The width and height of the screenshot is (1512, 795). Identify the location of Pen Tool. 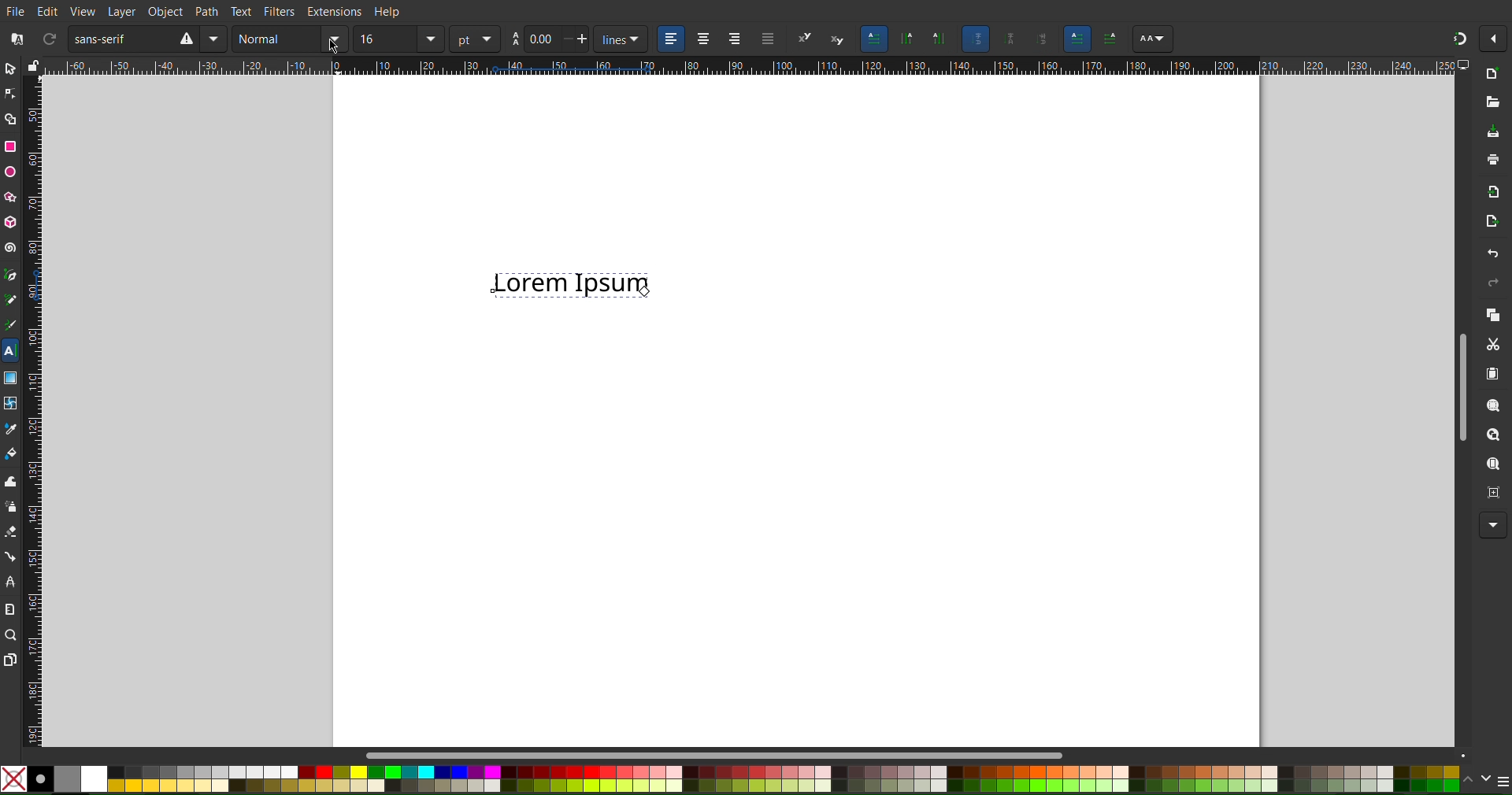
(11, 275).